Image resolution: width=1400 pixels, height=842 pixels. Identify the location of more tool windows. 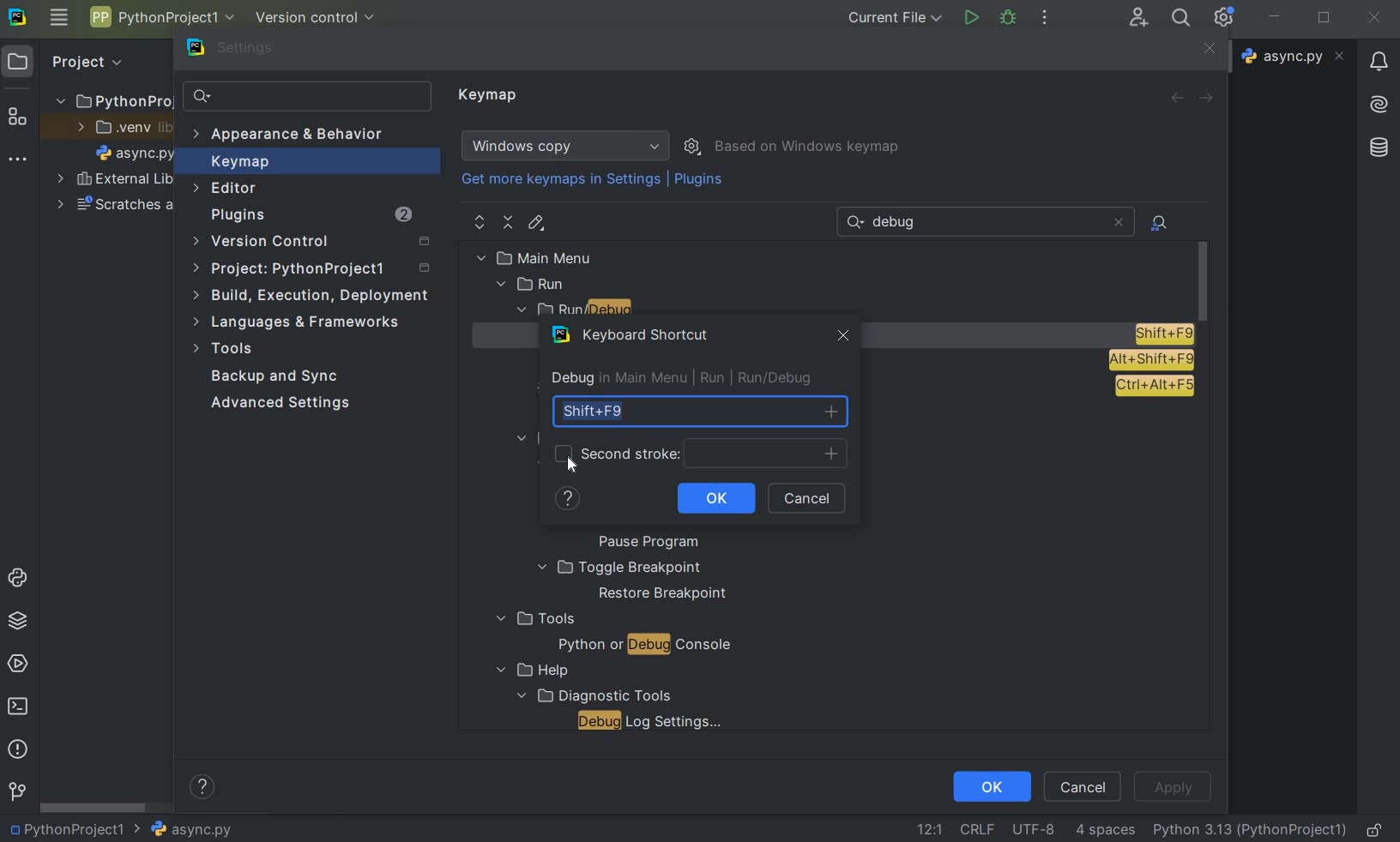
(15, 159).